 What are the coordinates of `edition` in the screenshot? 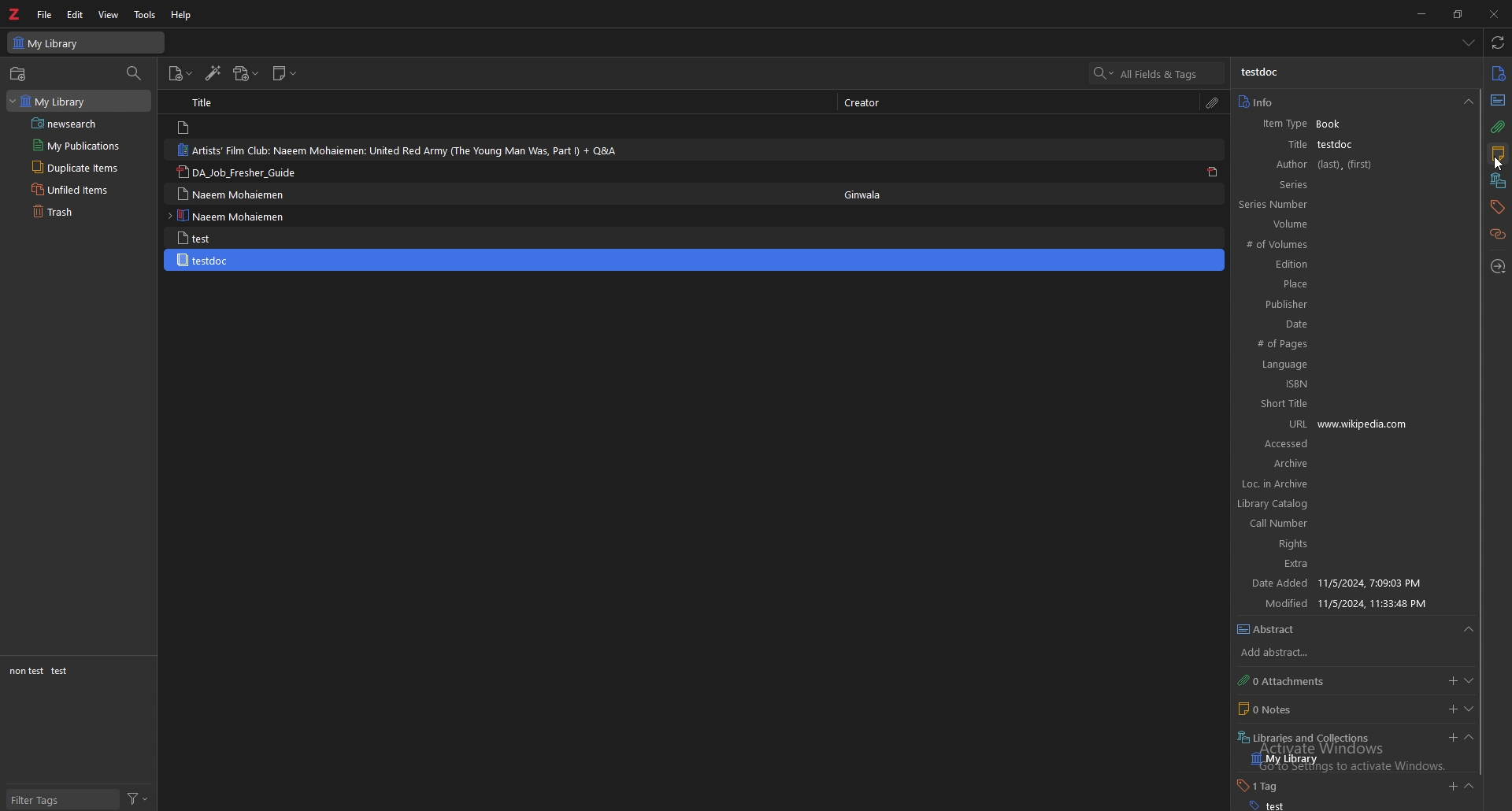 It's located at (1333, 265).